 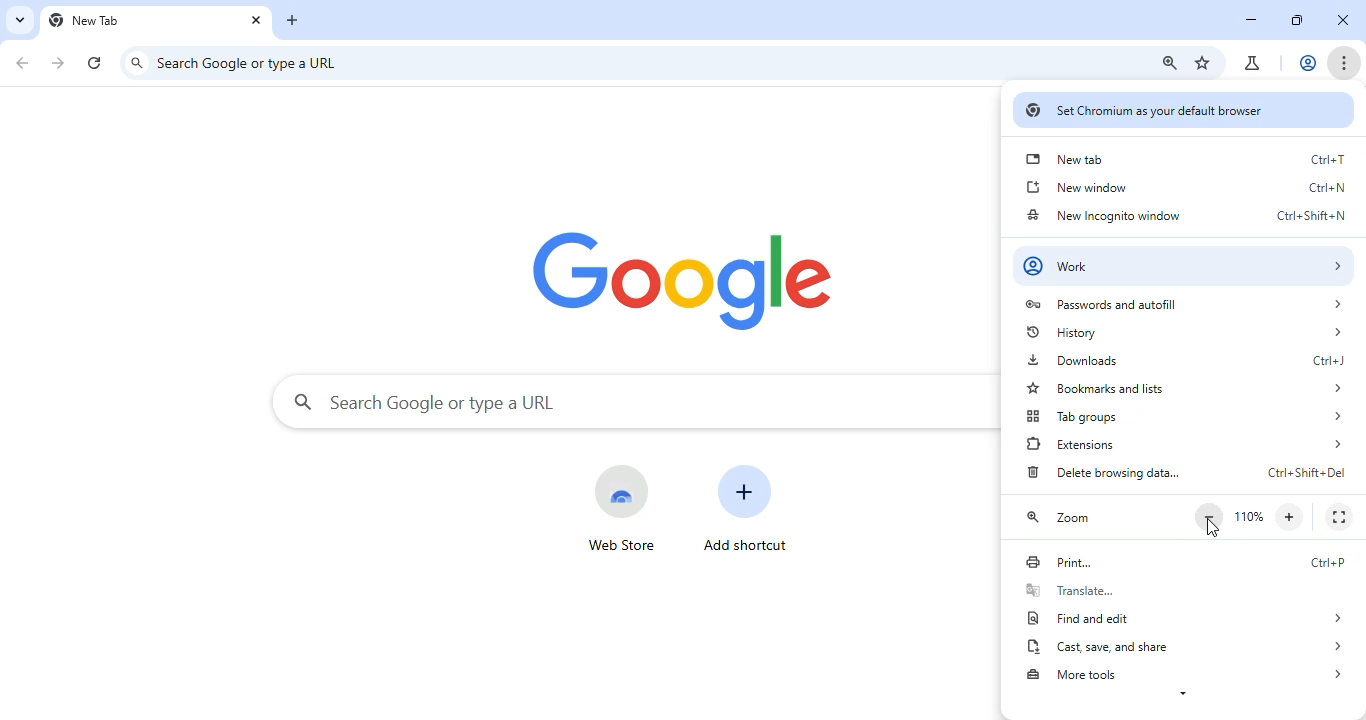 I want to click on print, so click(x=1183, y=562).